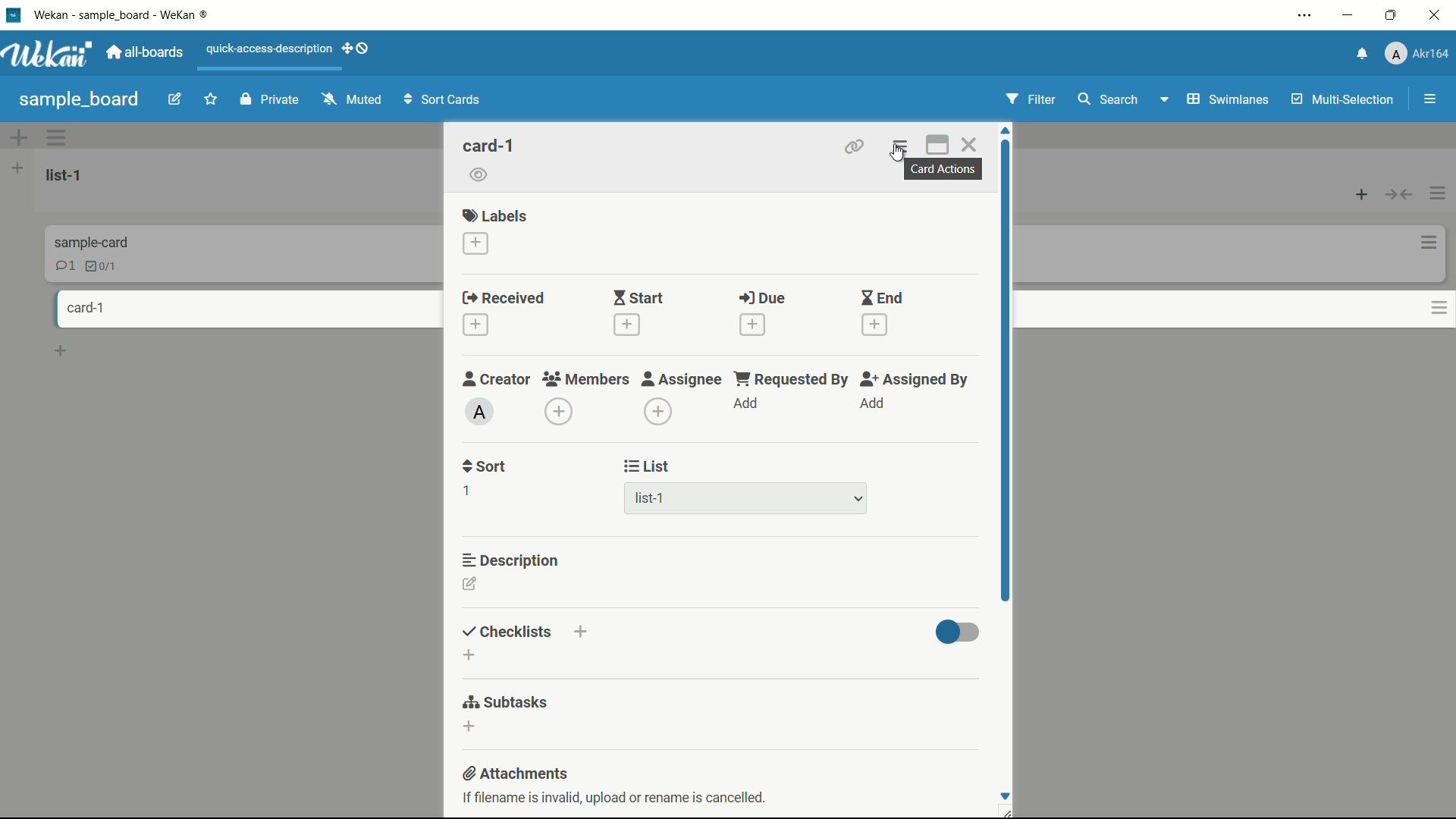 The image size is (1456, 819). I want to click on close app, so click(1435, 17).